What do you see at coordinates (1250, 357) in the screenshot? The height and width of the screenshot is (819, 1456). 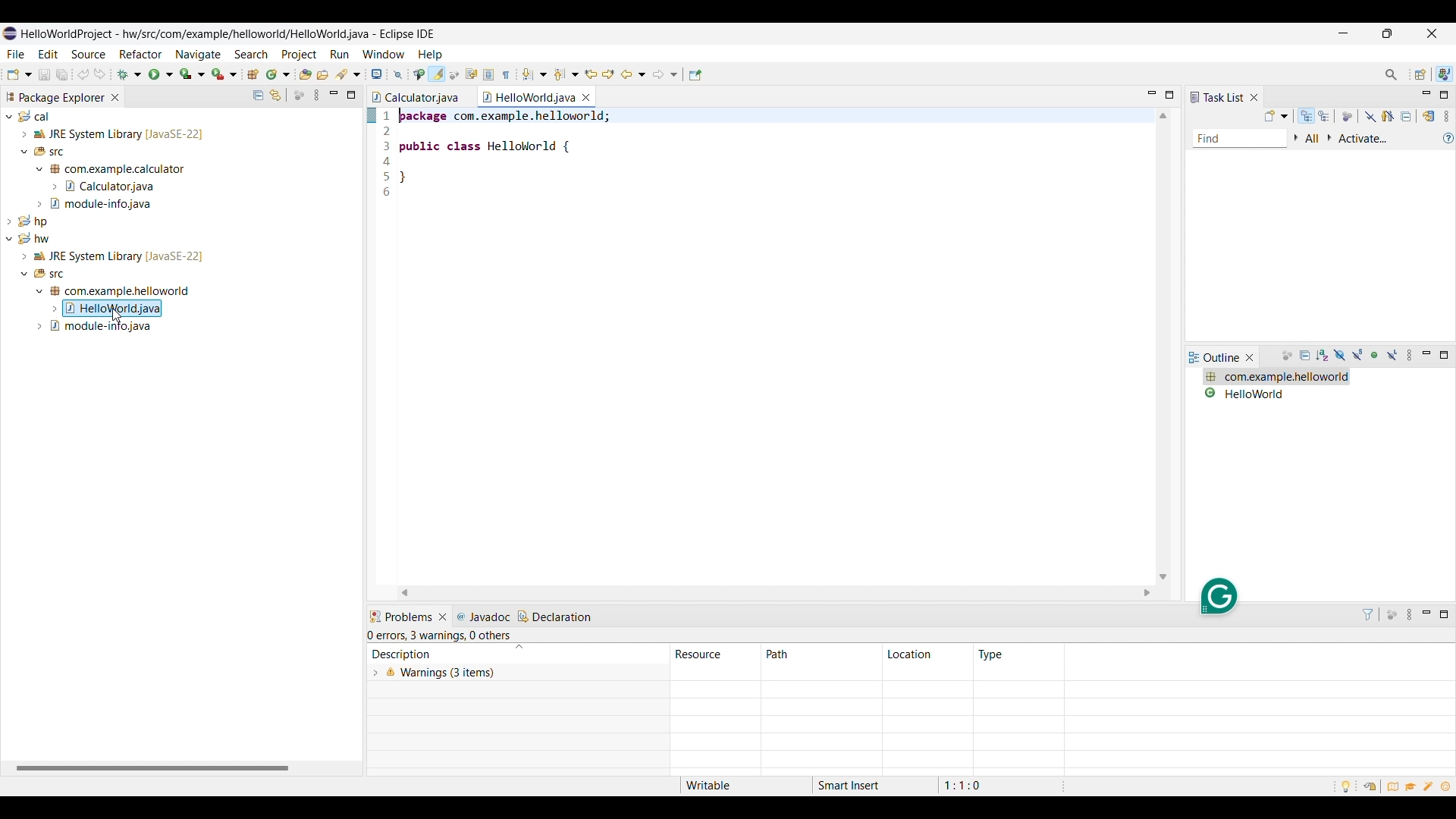 I see `Close` at bounding box center [1250, 357].